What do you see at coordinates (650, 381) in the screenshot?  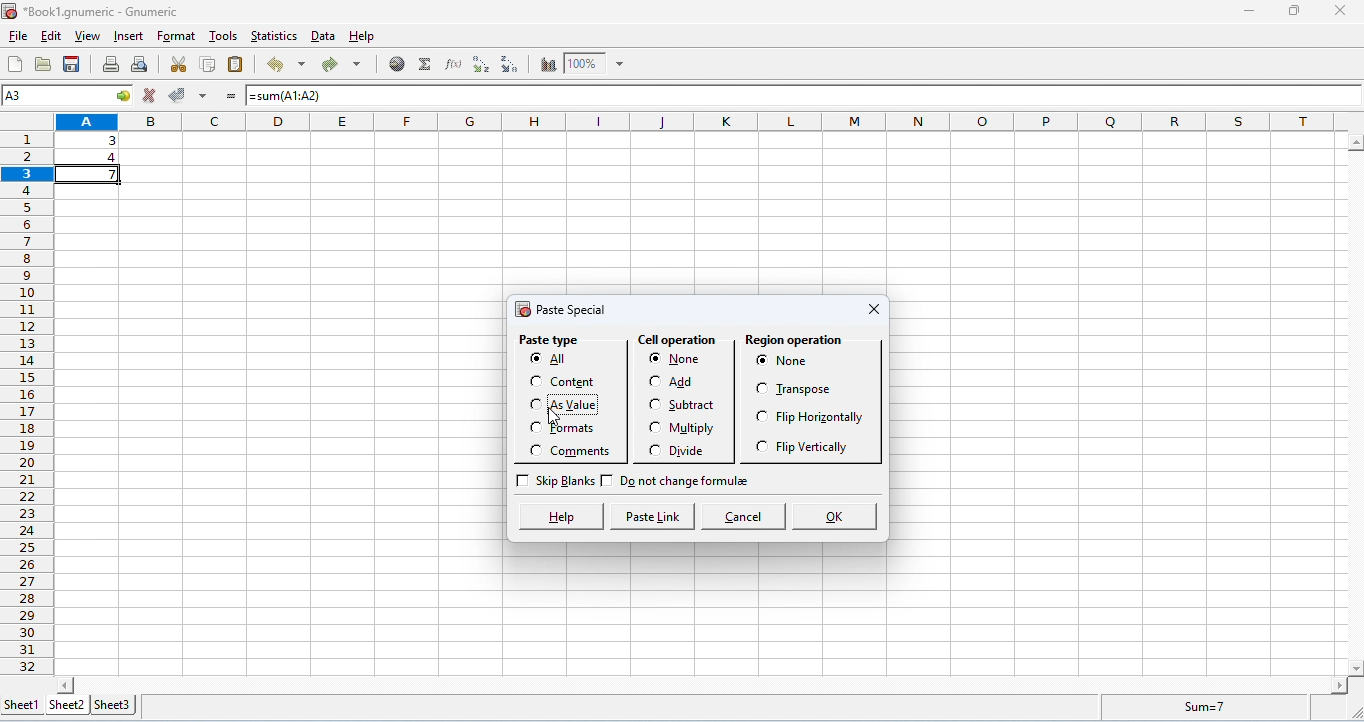 I see `Checkbox` at bounding box center [650, 381].